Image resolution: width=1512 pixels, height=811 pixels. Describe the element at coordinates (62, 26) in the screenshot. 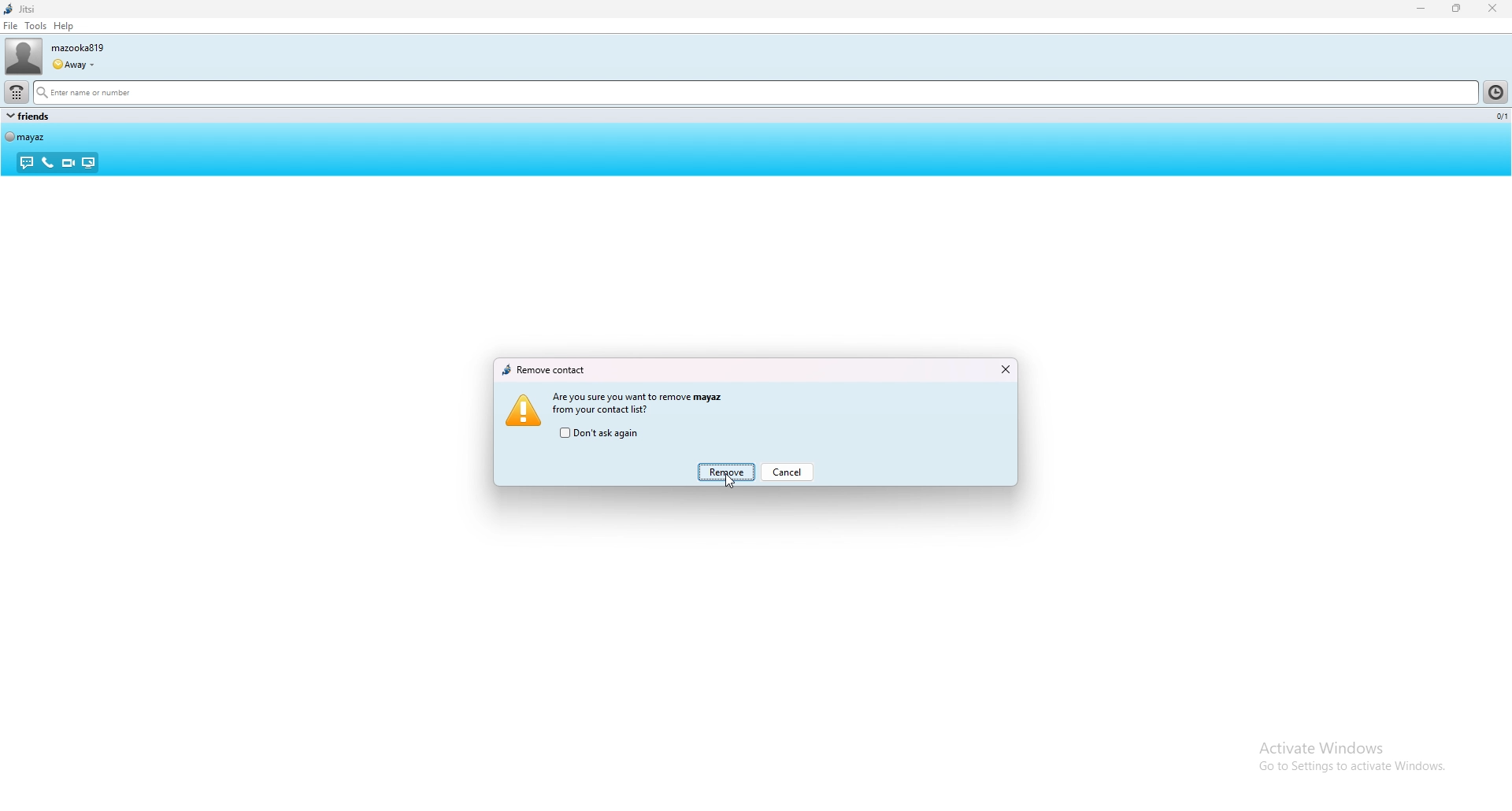

I see `help` at that location.